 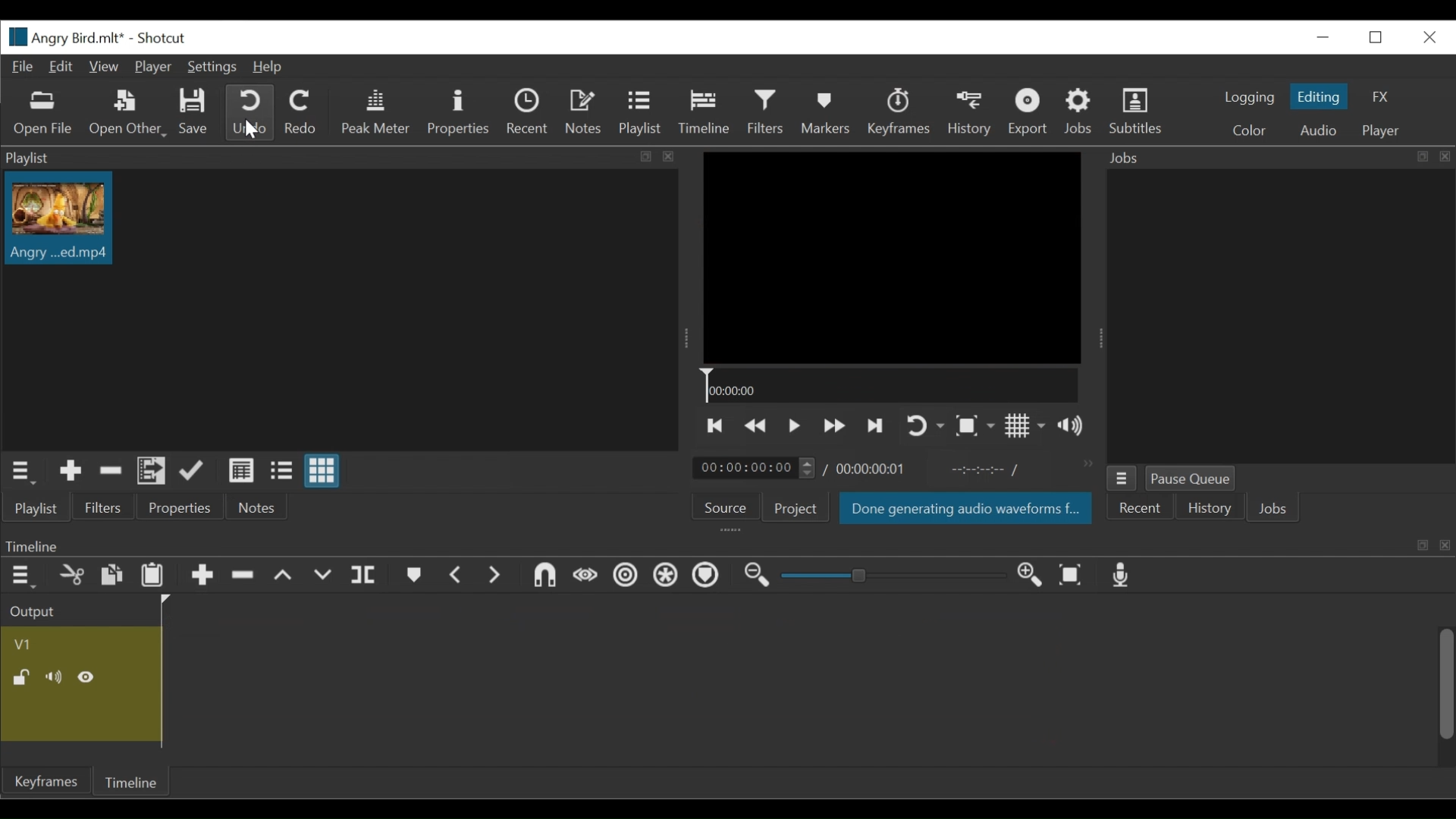 I want to click on Hide, so click(x=86, y=674).